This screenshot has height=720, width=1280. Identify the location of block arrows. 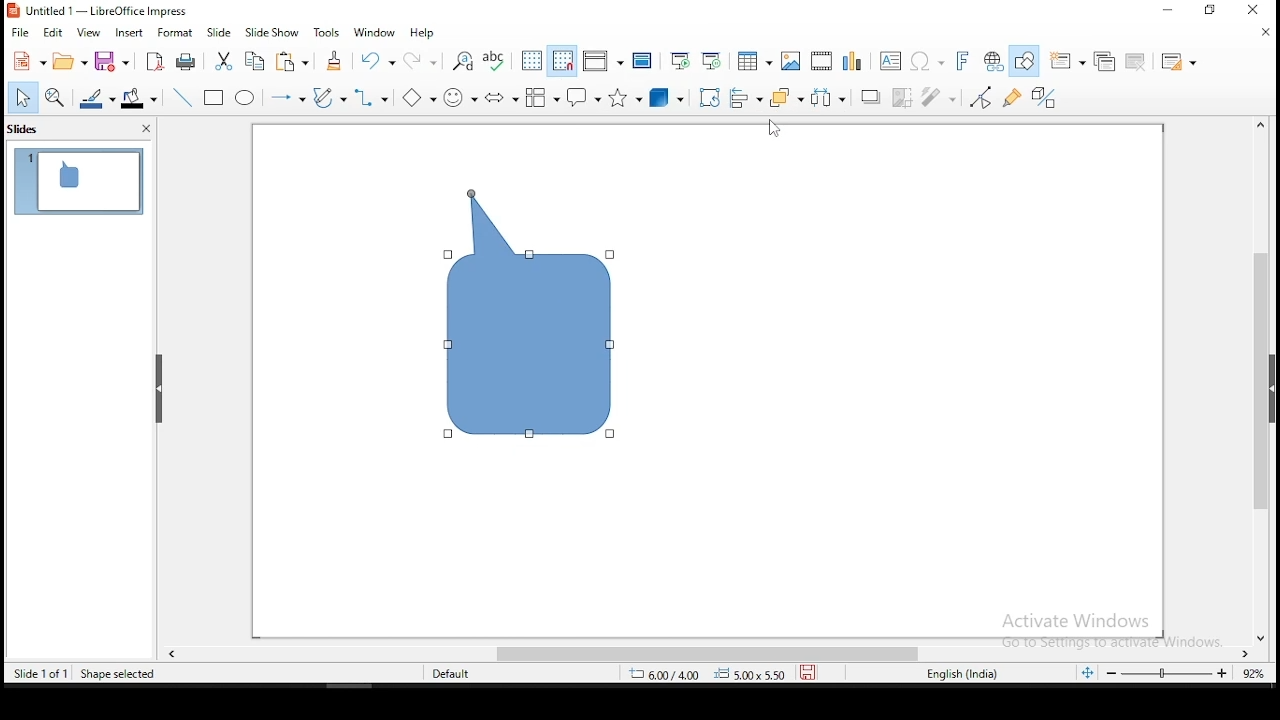
(504, 98).